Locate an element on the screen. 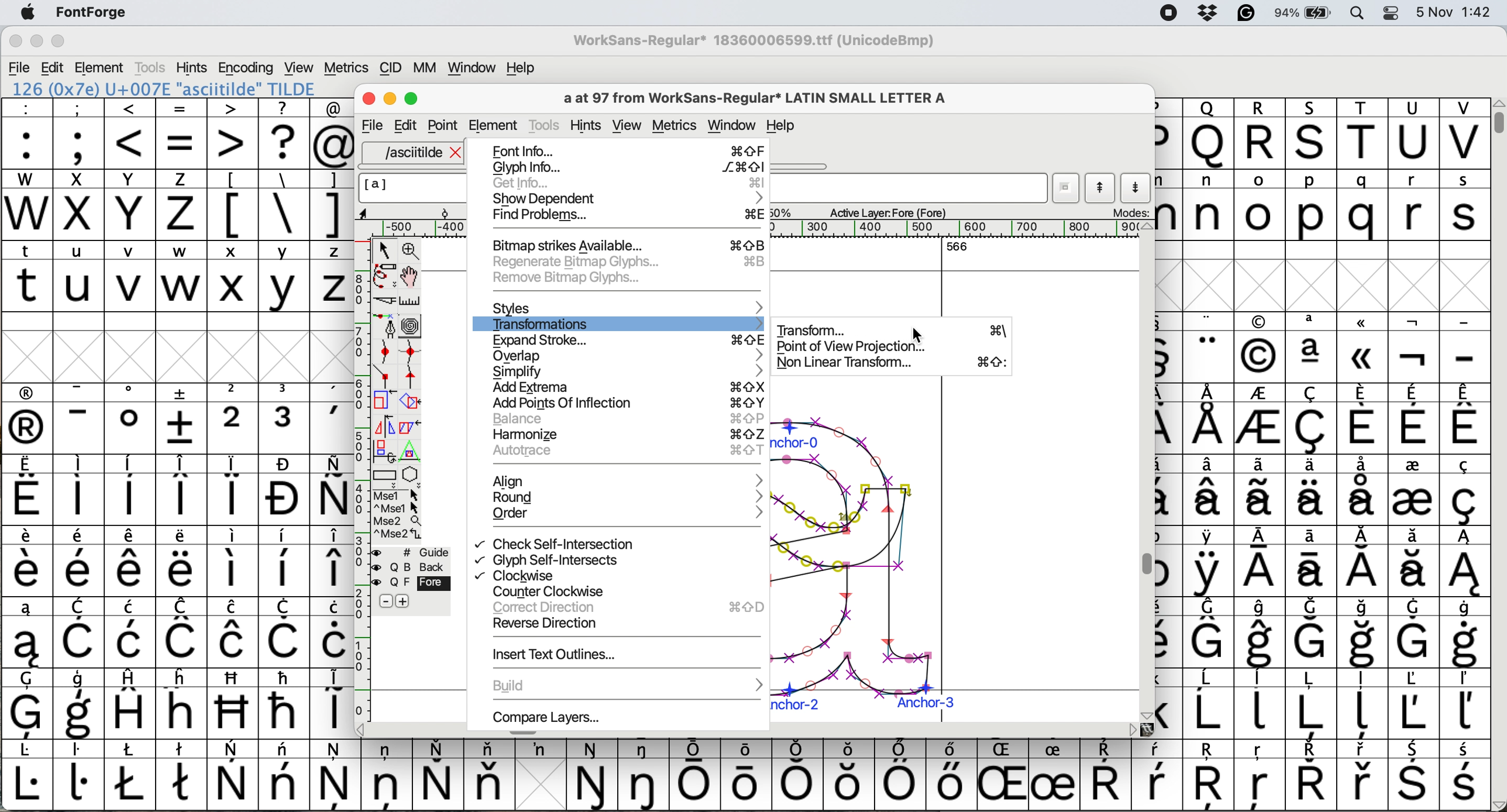 The width and height of the screenshot is (1507, 812). WorkSans-Regular 18360006599.ttf (UnicodeBmp) is located at coordinates (754, 43).